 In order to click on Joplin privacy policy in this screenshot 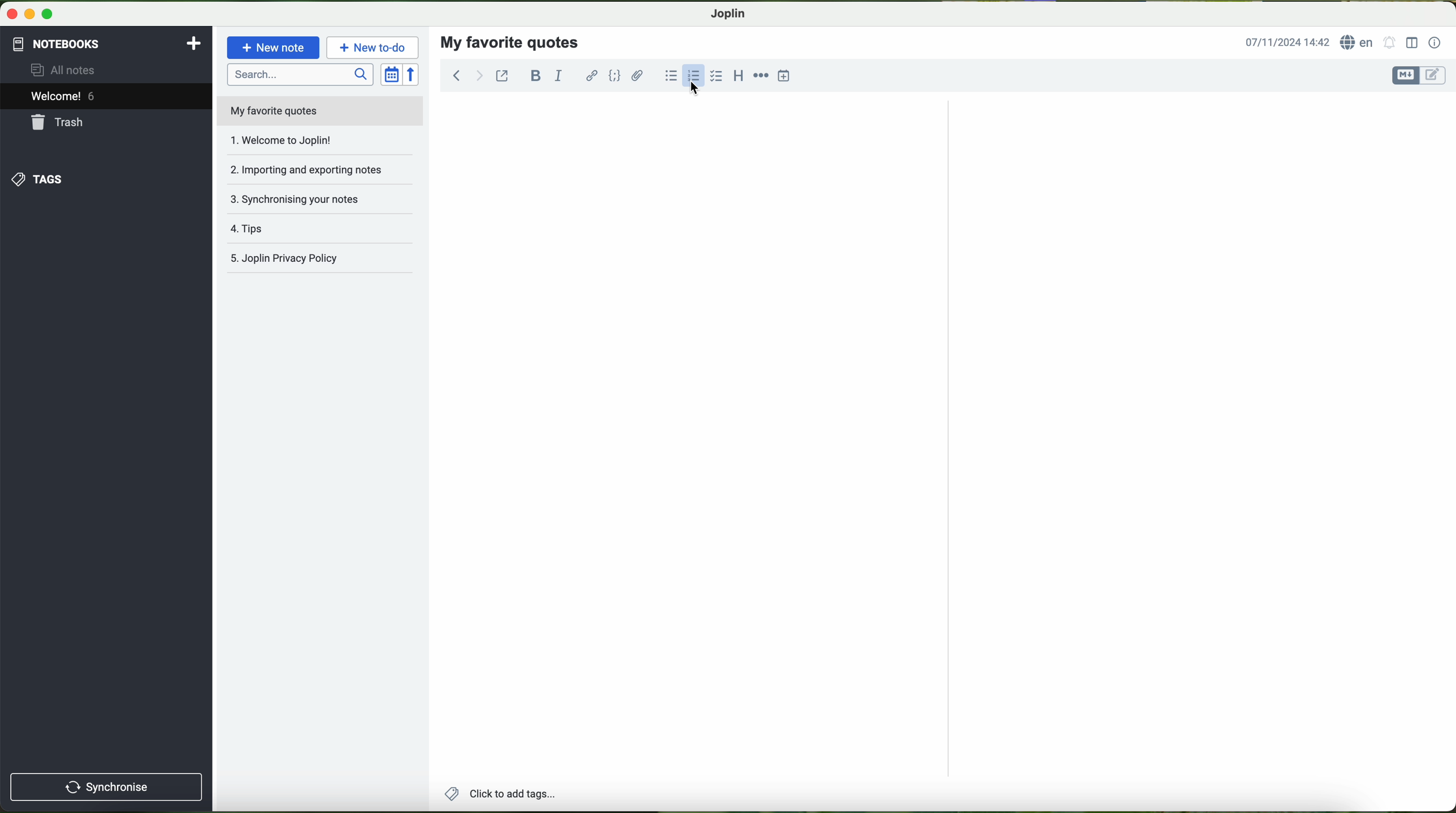, I will do `click(315, 259)`.